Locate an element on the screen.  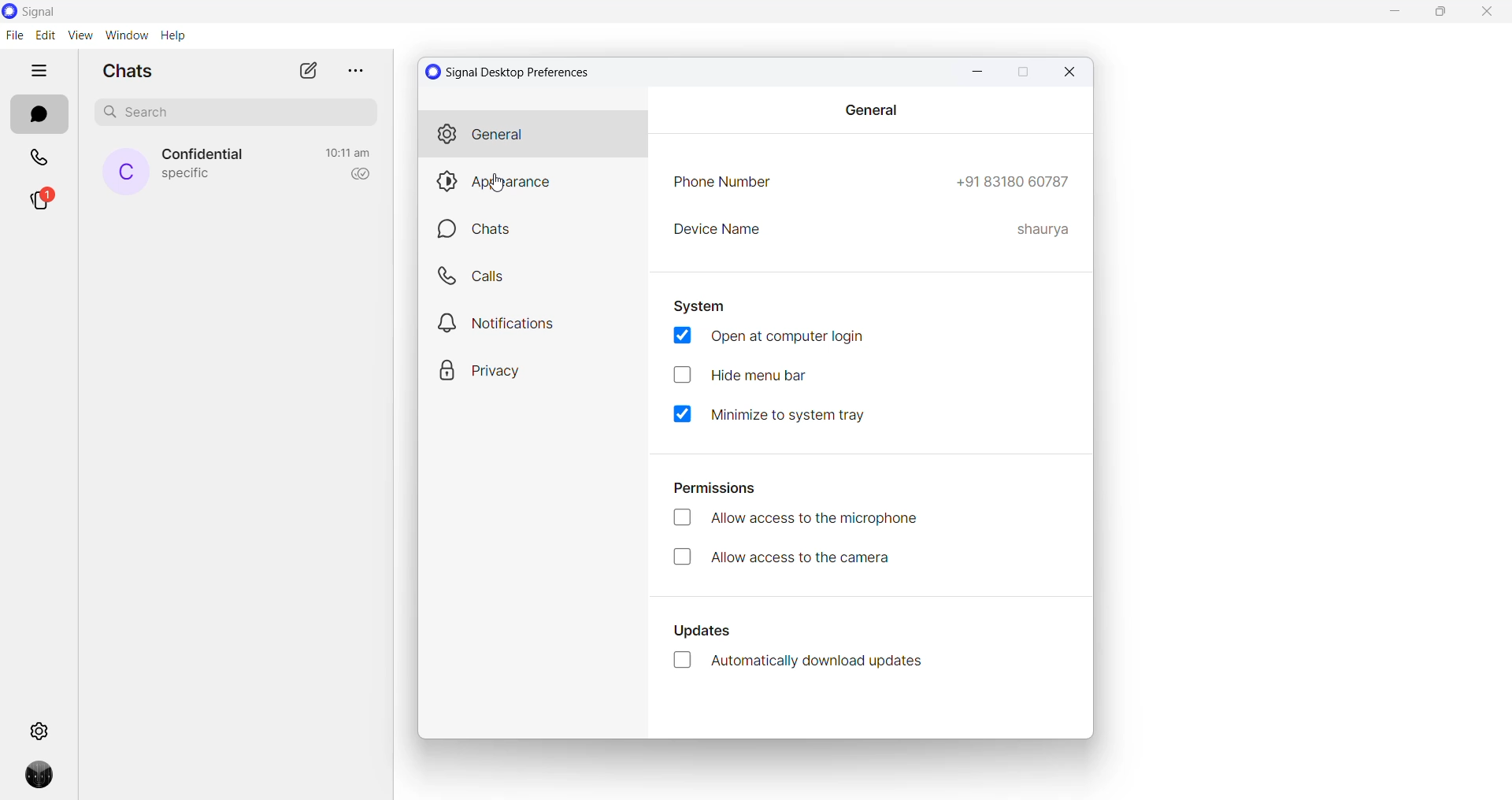
updates is located at coordinates (710, 635).